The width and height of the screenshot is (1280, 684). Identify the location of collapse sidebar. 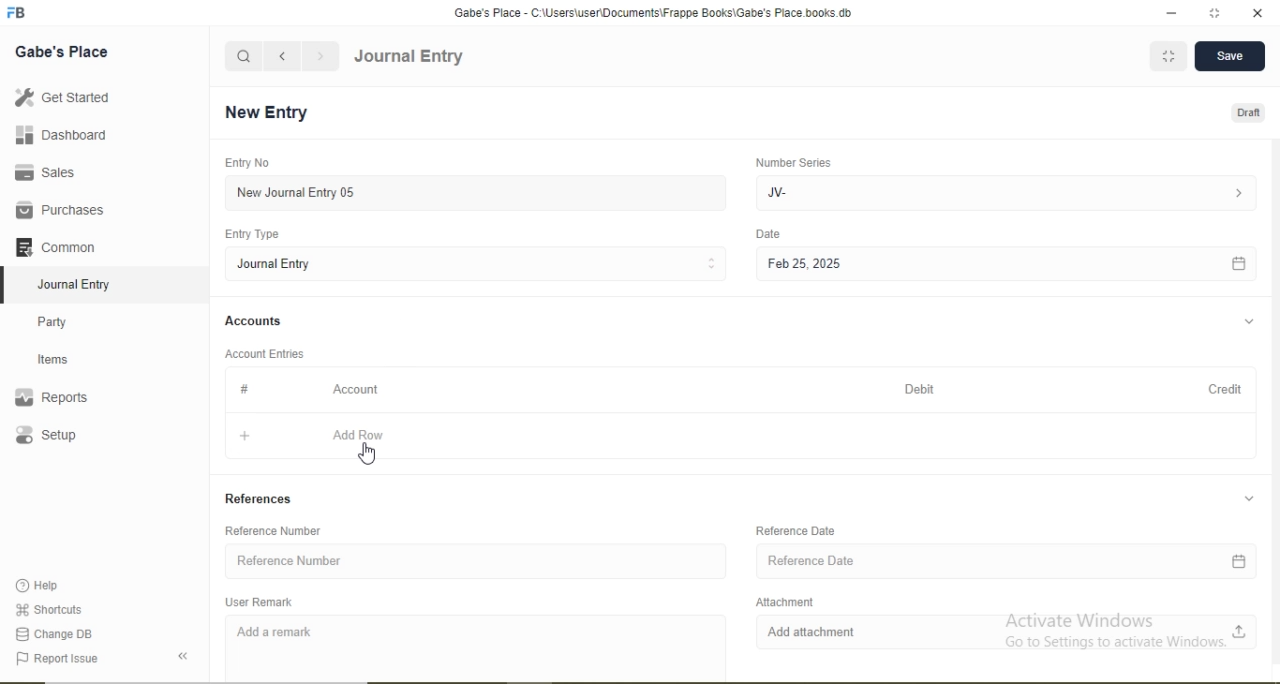
(186, 656).